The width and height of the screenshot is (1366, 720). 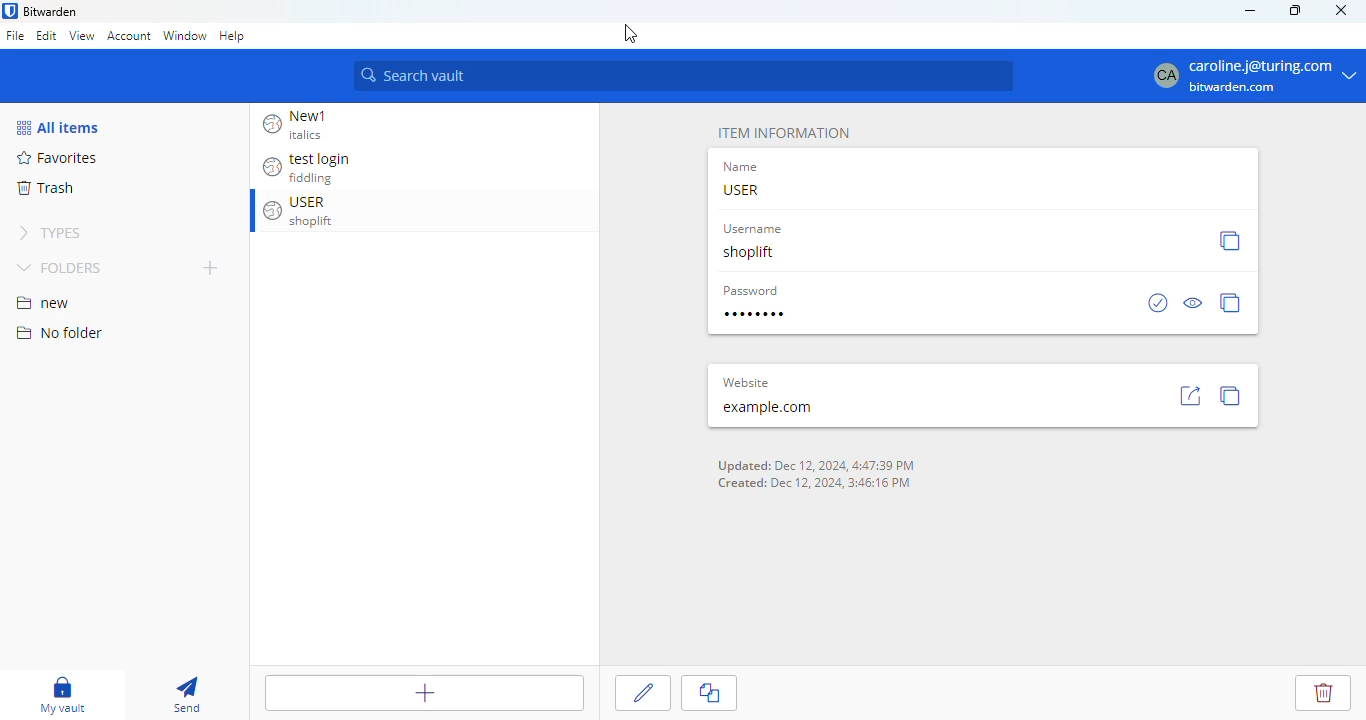 I want to click on account, so click(x=130, y=37).